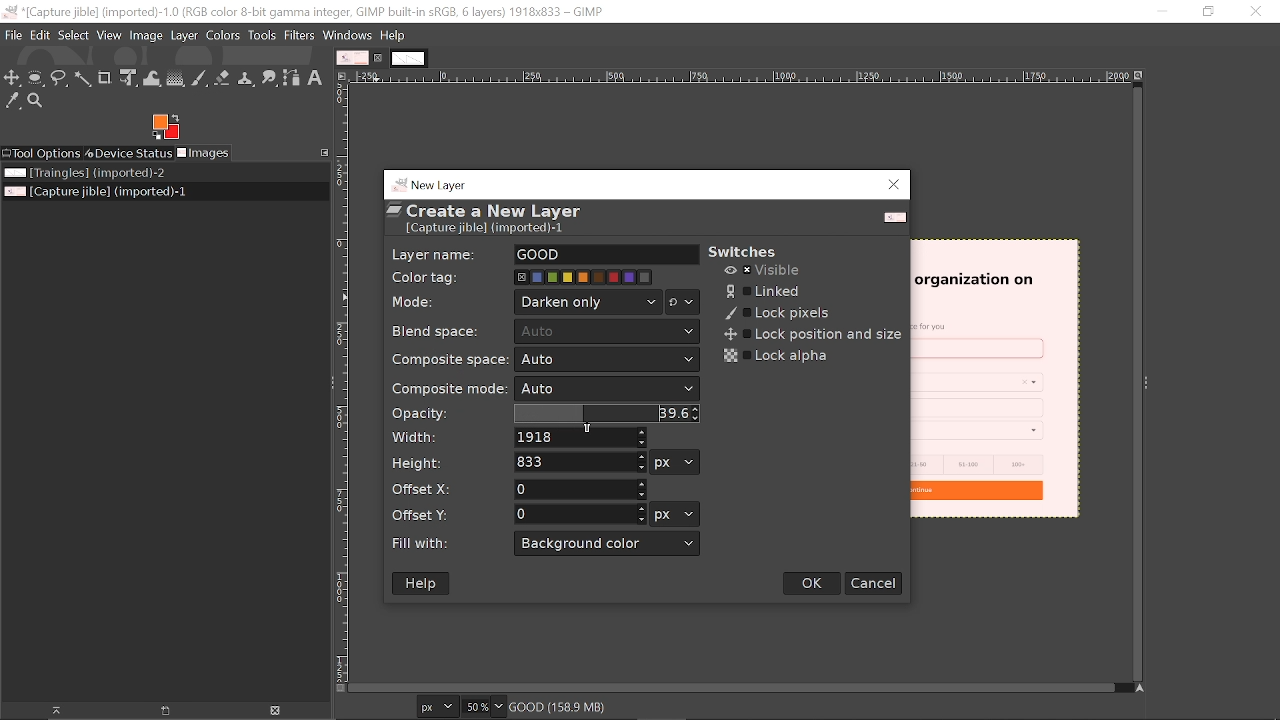 This screenshot has width=1280, height=720. What do you see at coordinates (81, 81) in the screenshot?
I see `Fuzzy select tool` at bounding box center [81, 81].